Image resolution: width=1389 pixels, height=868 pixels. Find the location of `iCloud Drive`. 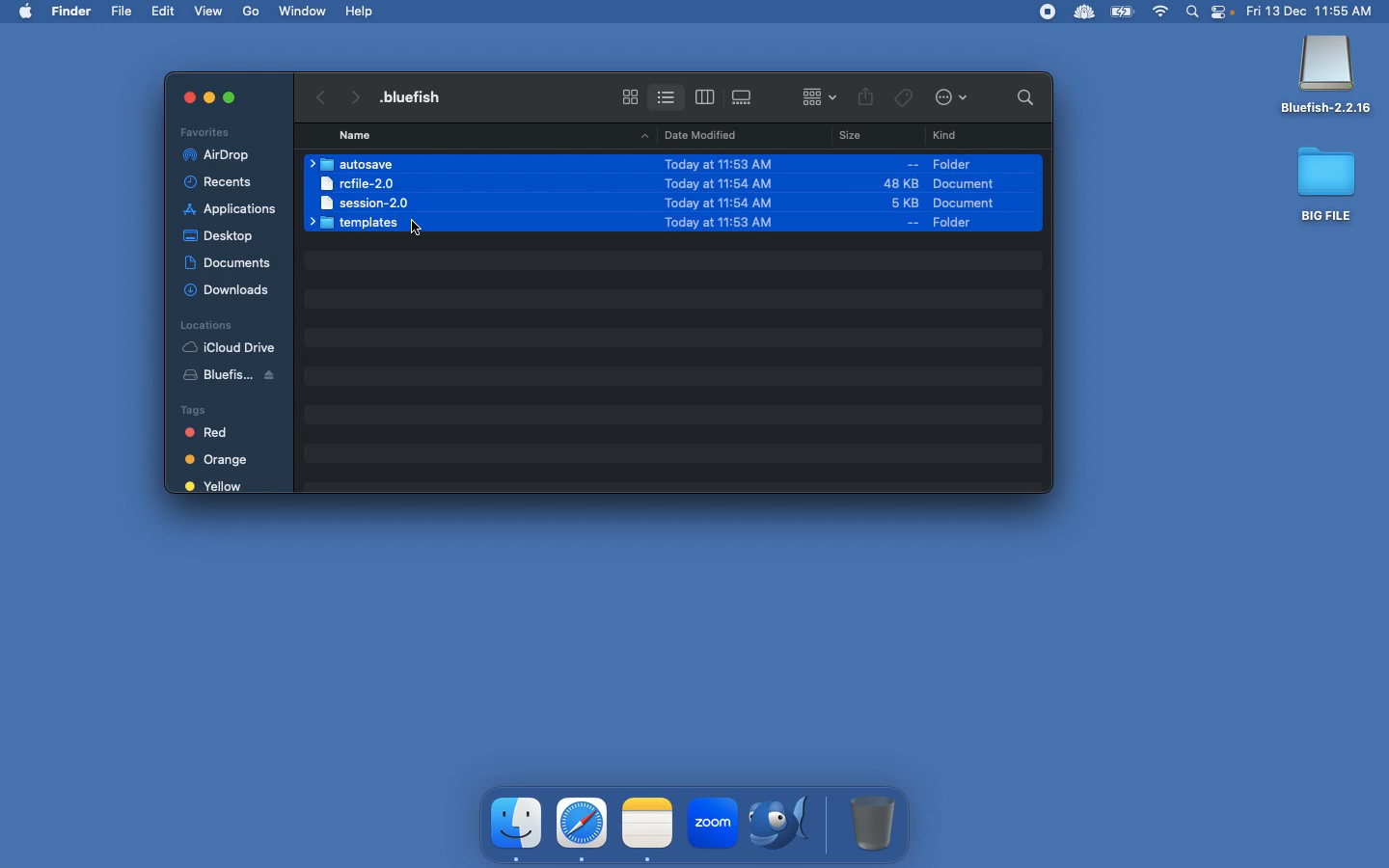

iCloud Drive is located at coordinates (229, 347).